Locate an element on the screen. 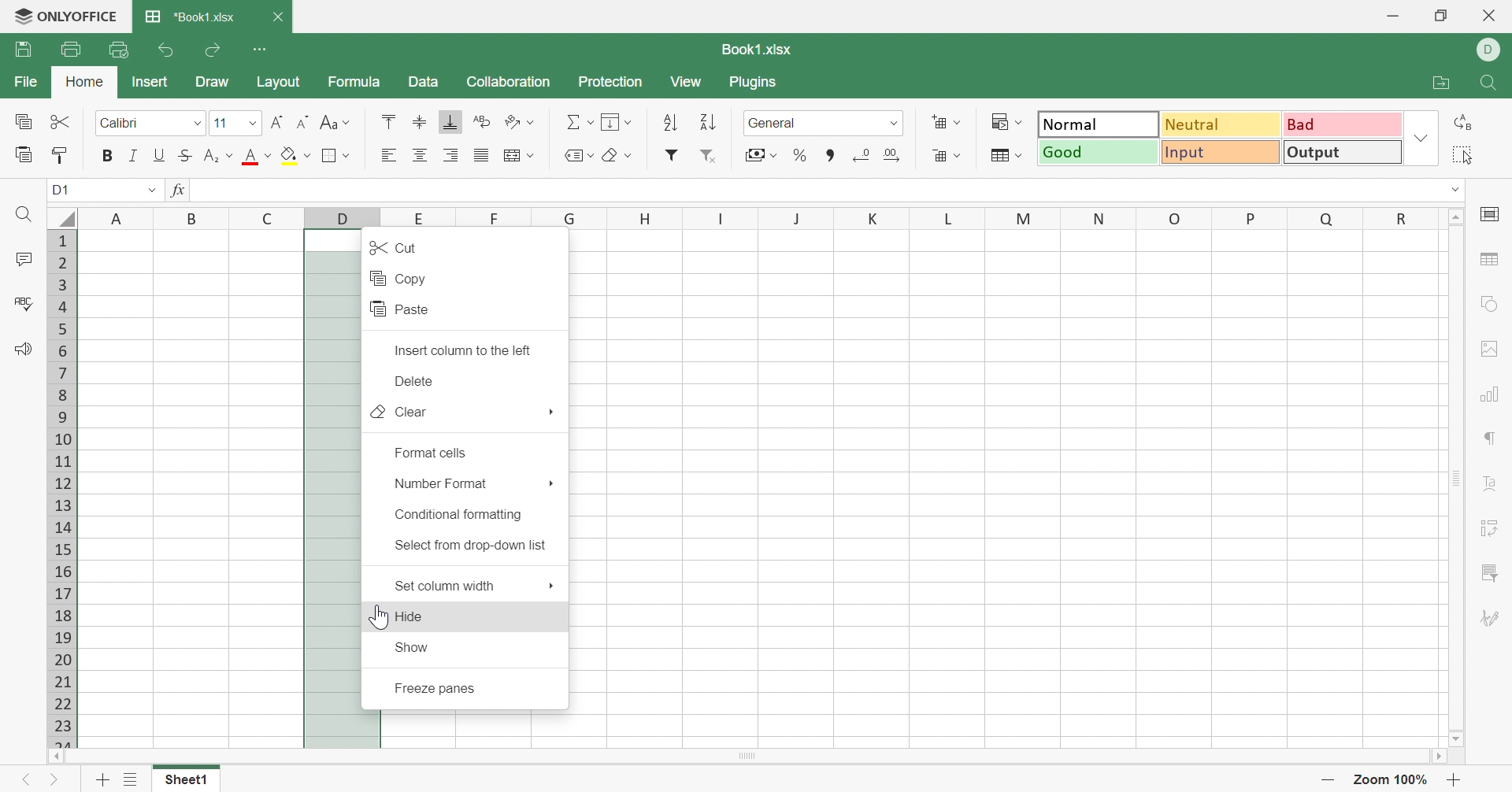  ONLYOFFICE is located at coordinates (65, 17).